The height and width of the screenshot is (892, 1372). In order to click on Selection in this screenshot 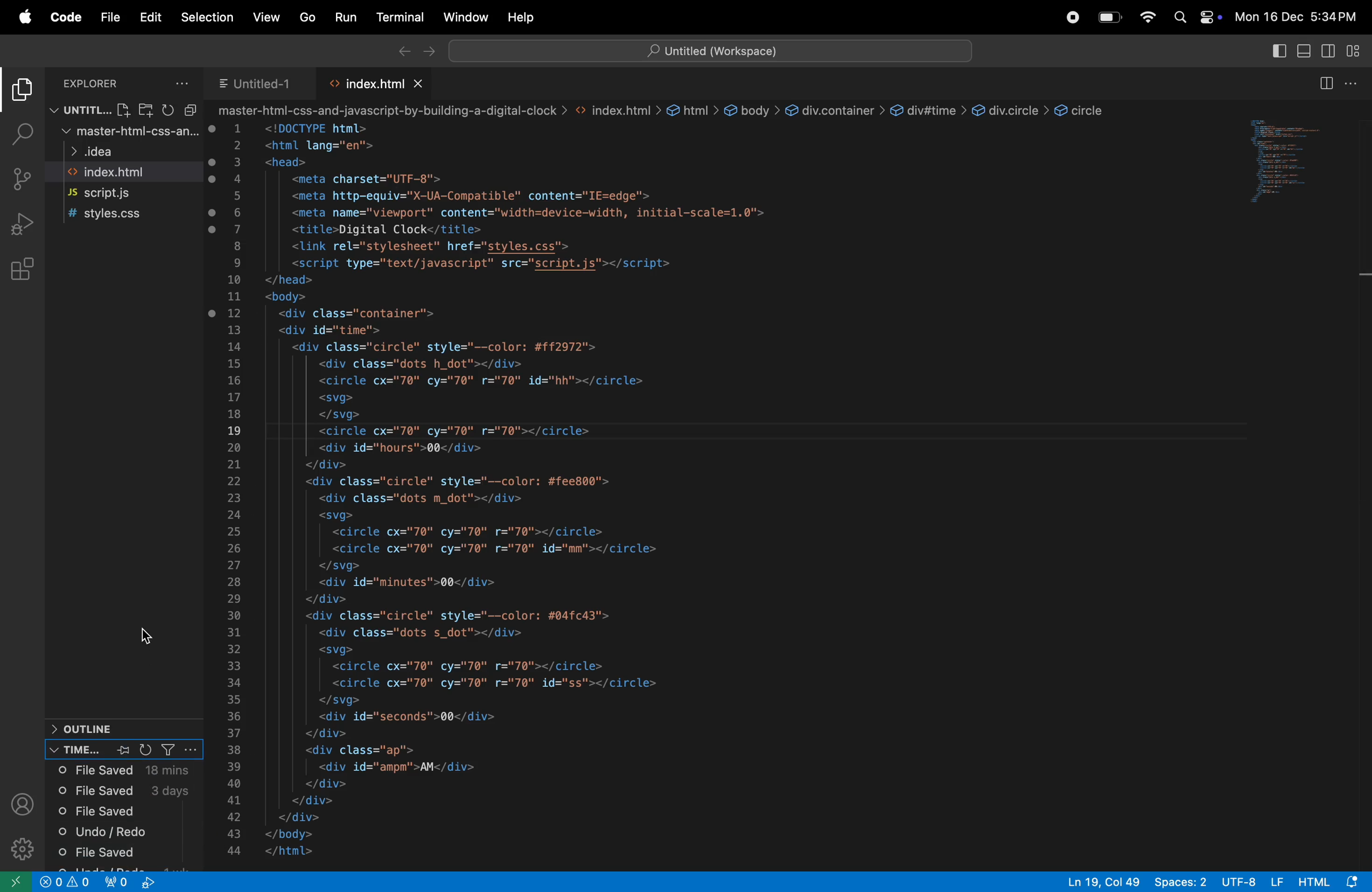, I will do `click(206, 19)`.